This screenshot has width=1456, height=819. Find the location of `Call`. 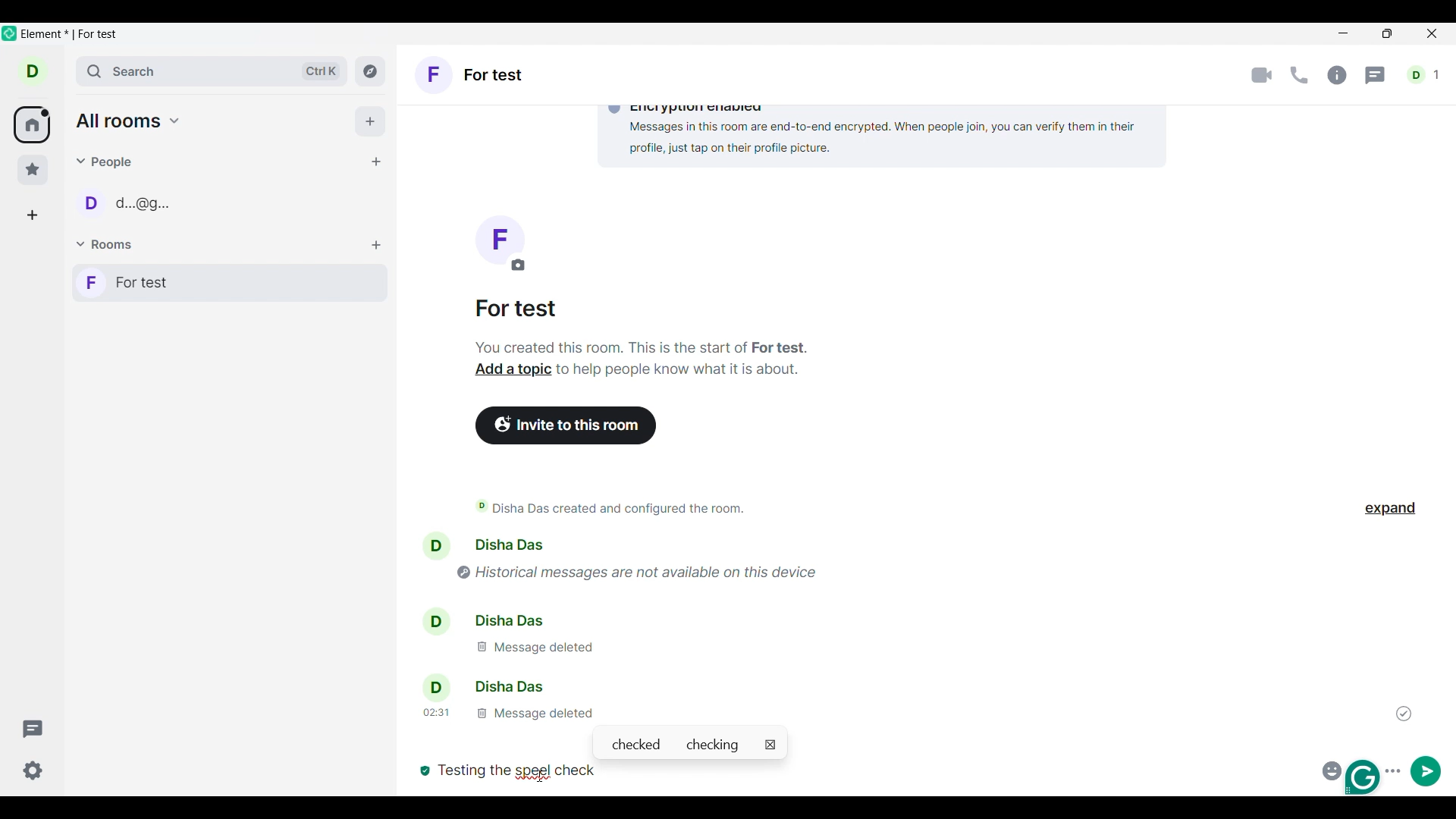

Call is located at coordinates (1299, 75).